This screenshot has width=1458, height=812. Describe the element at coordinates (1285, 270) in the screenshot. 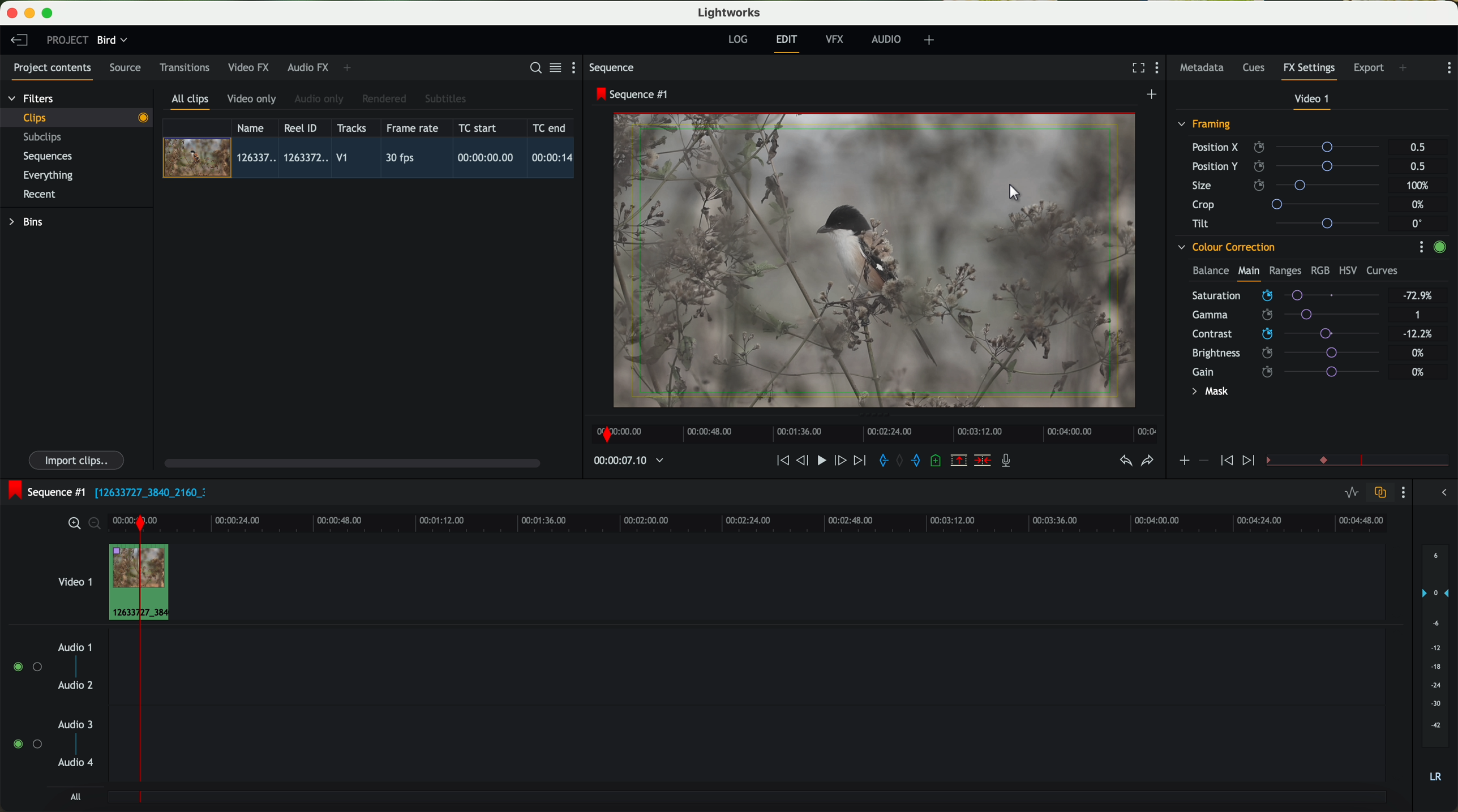

I see `ranges` at that location.